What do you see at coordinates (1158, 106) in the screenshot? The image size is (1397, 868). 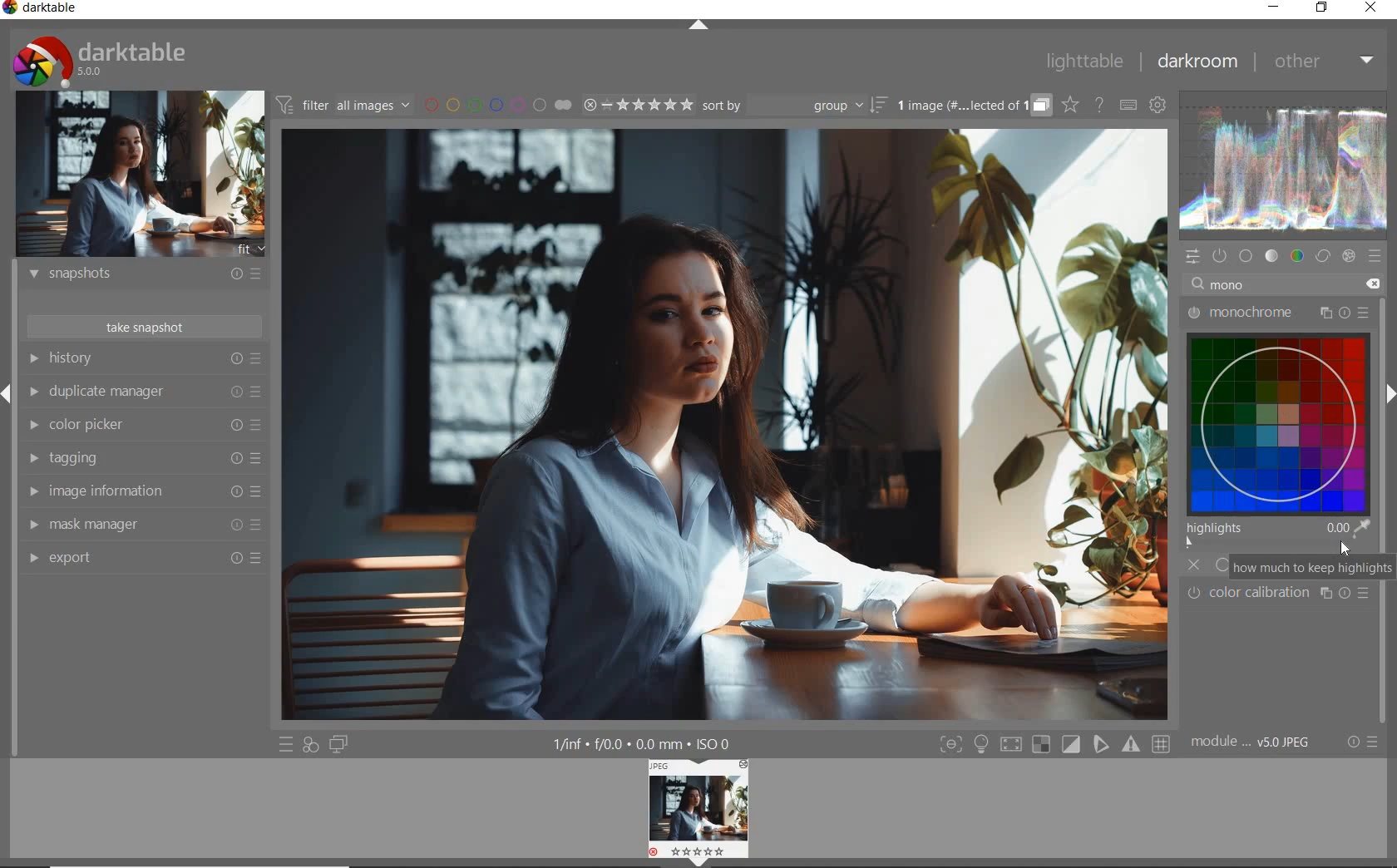 I see `show global preferences` at bounding box center [1158, 106].